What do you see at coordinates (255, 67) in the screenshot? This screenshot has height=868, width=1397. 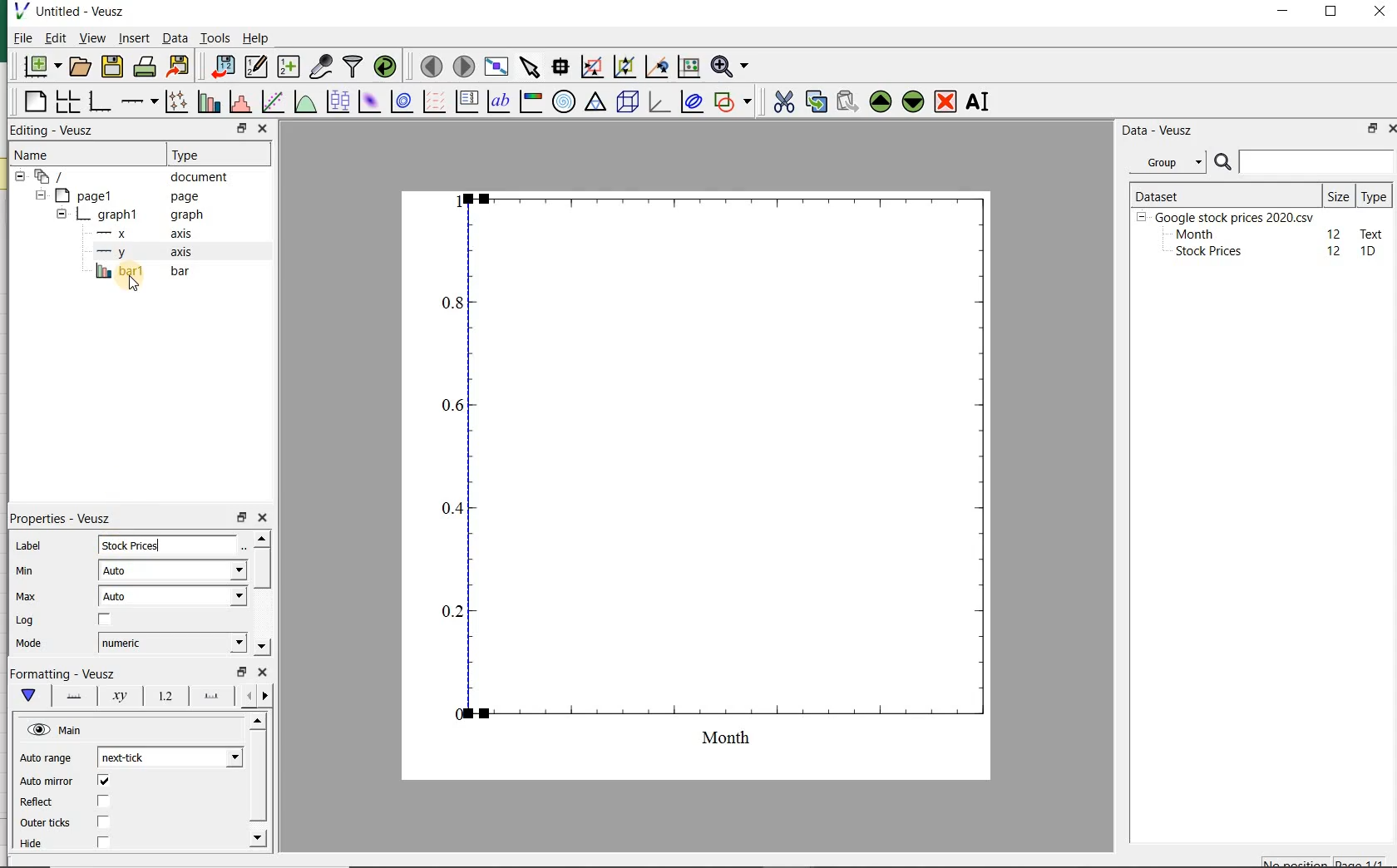 I see `edit and enter new datasets` at bounding box center [255, 67].